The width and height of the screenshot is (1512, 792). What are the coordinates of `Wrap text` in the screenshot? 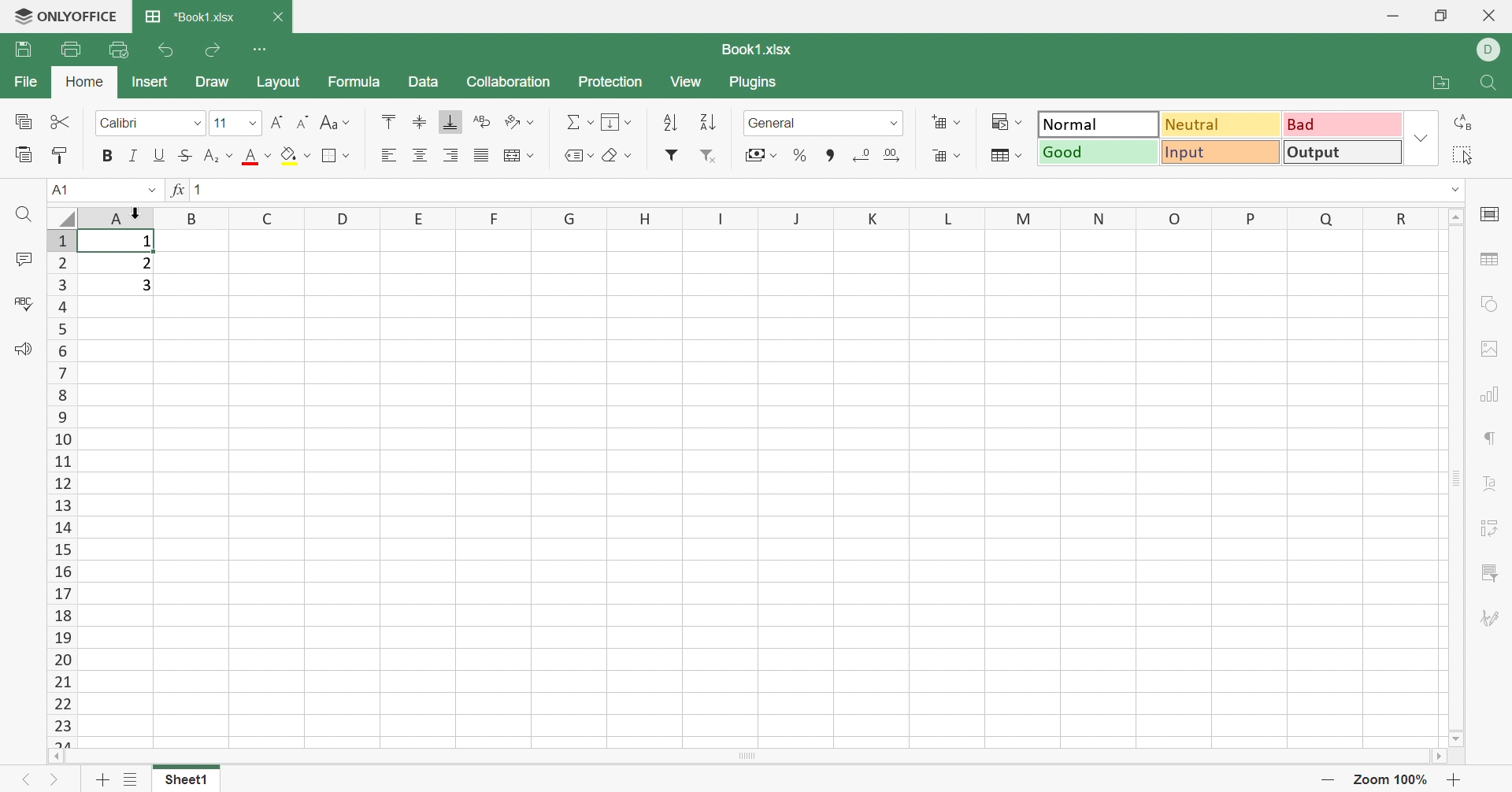 It's located at (485, 121).